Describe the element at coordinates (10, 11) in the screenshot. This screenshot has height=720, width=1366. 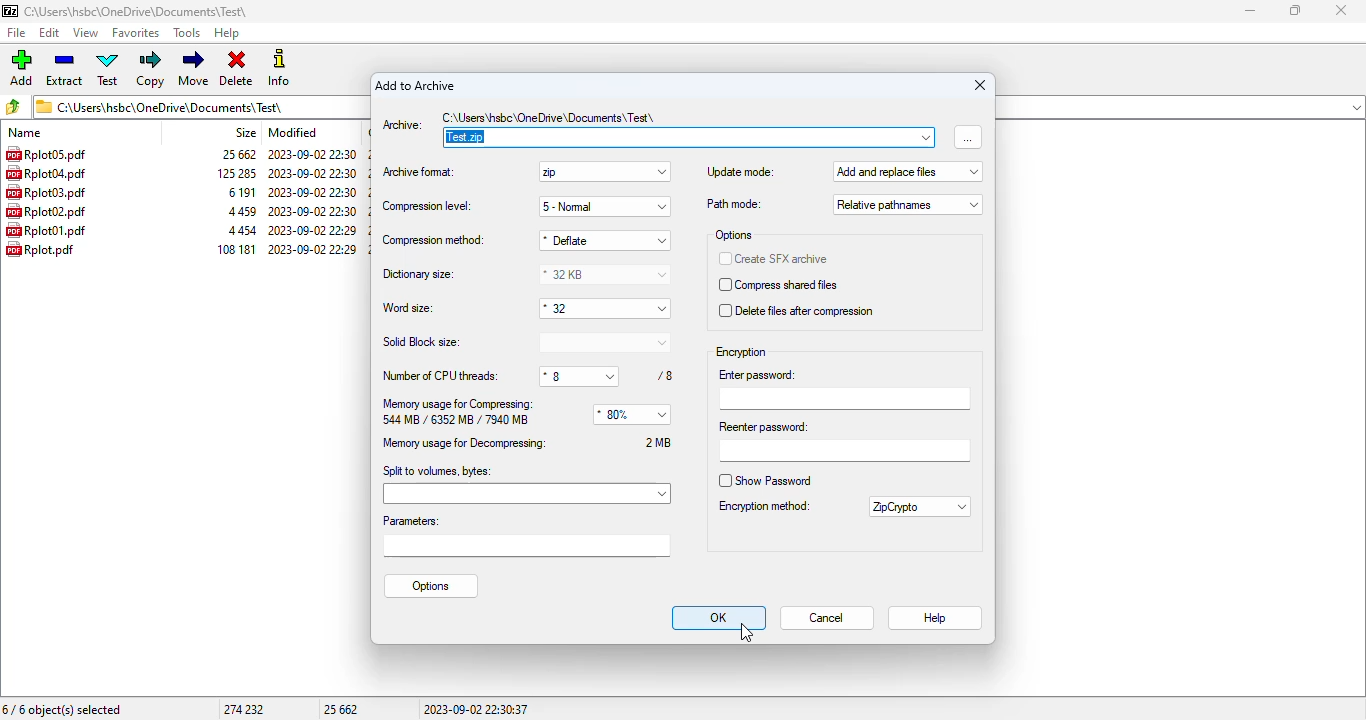
I see `logo` at that location.